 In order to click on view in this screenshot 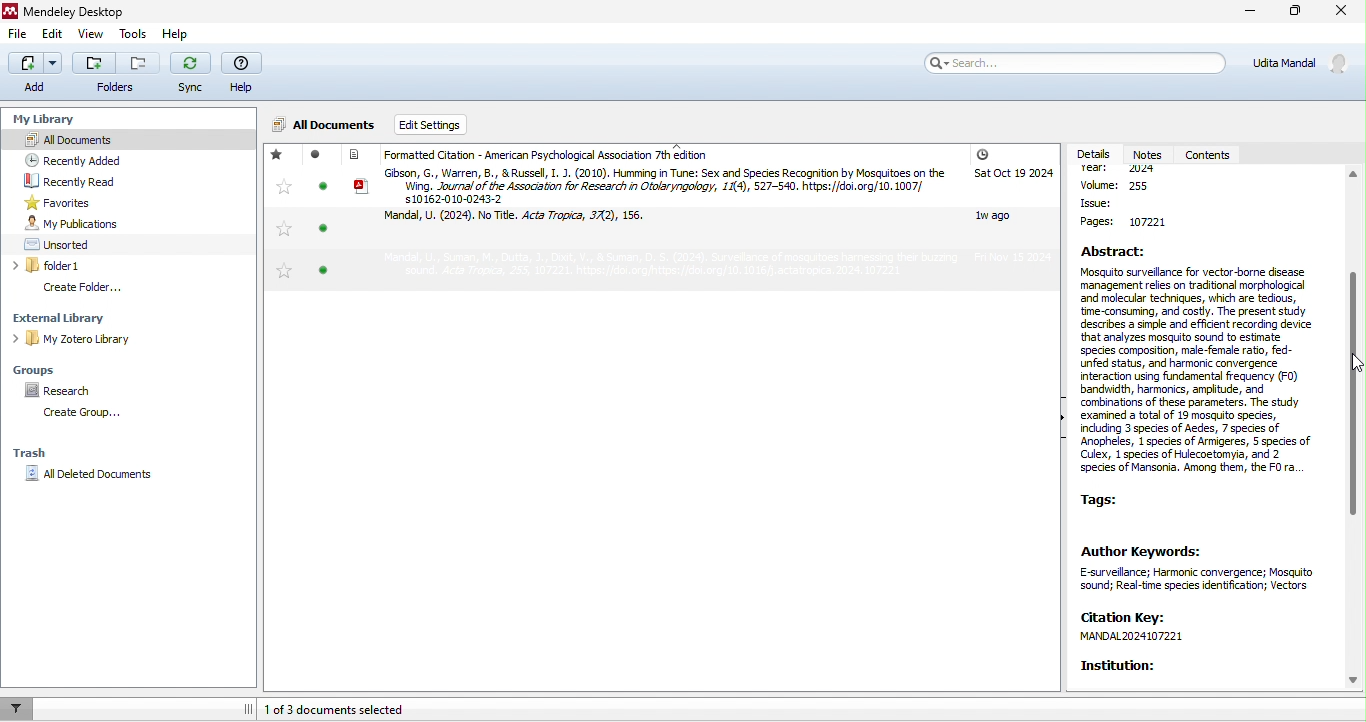, I will do `click(88, 36)`.